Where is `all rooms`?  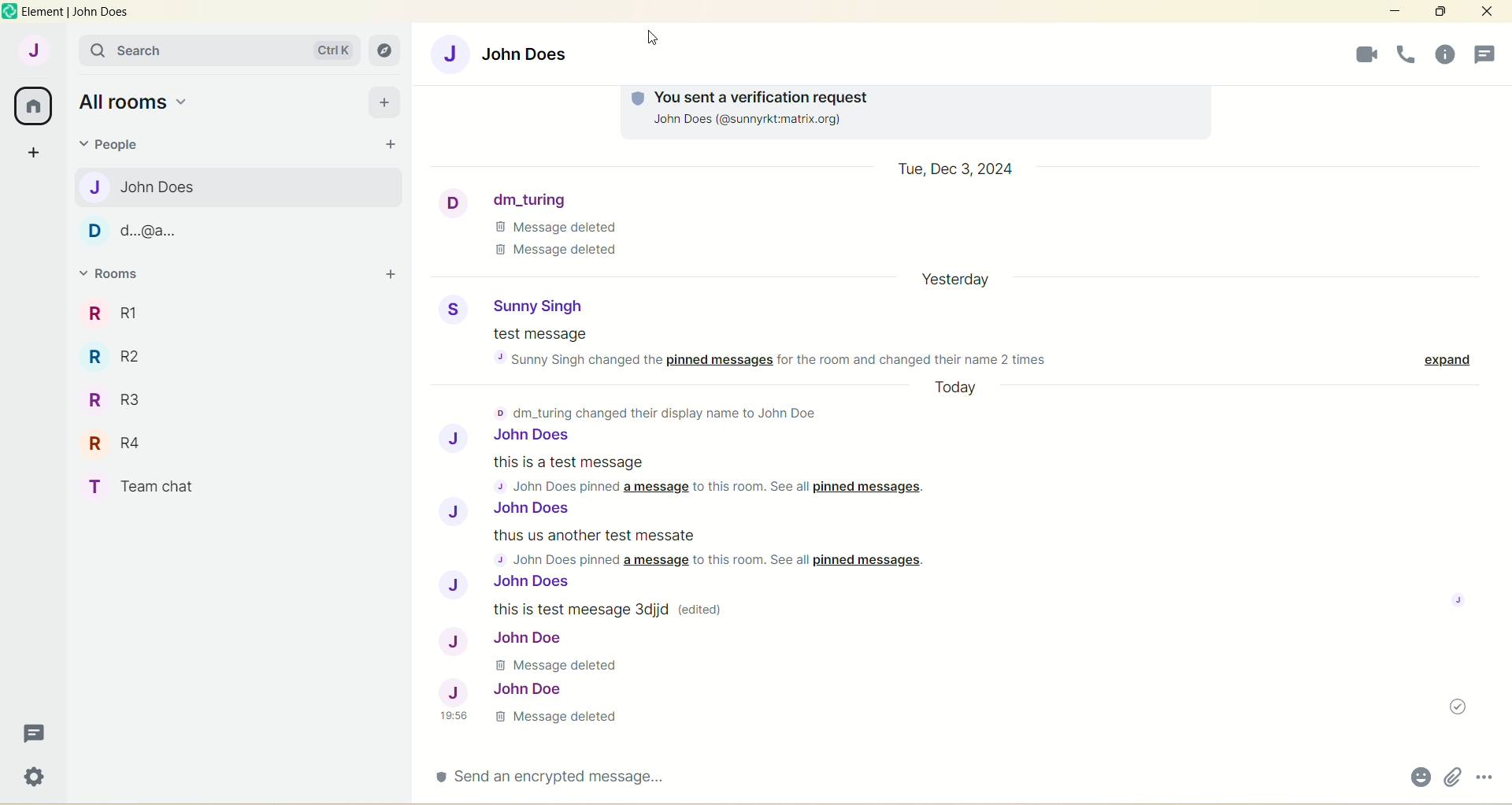 all rooms is located at coordinates (135, 102).